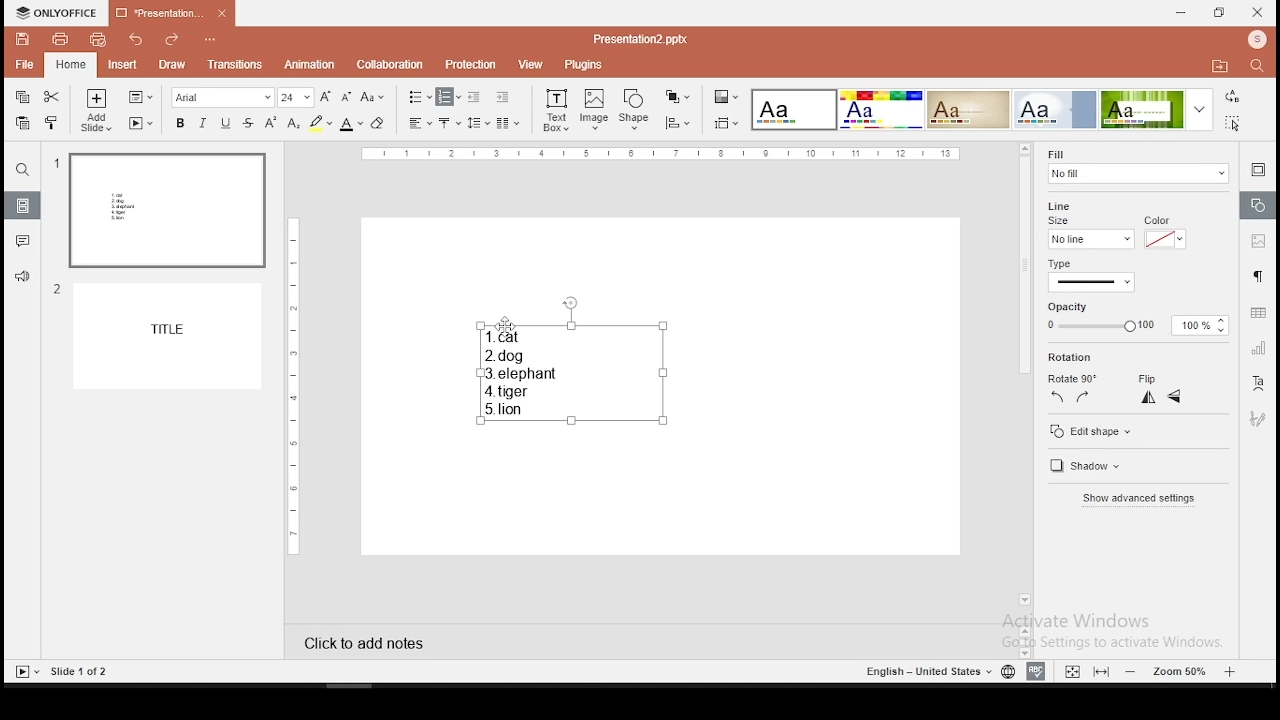 Image resolution: width=1280 pixels, height=720 pixels. I want to click on shape, so click(635, 111).